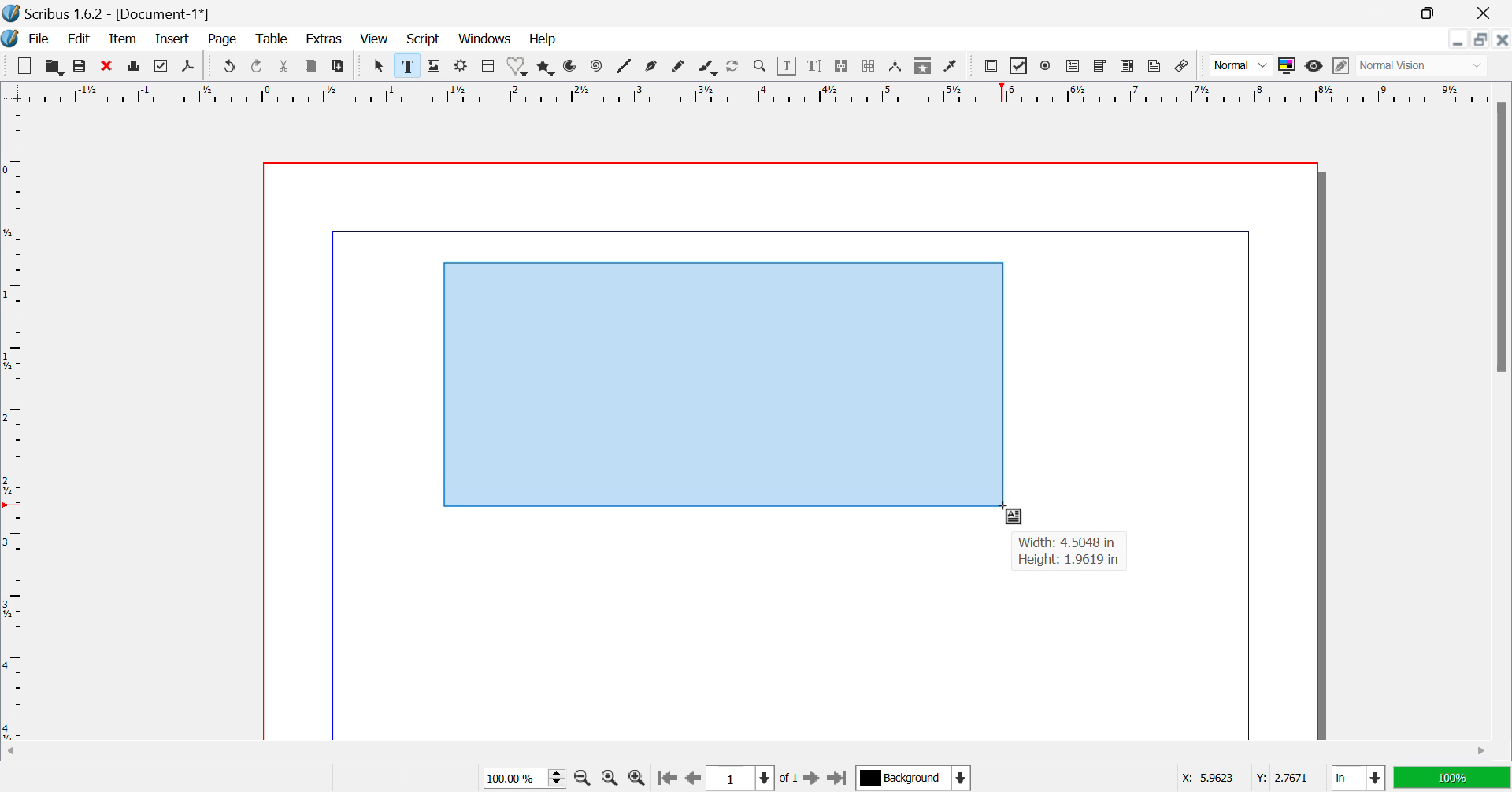  I want to click on Bezier Curve, so click(654, 68).